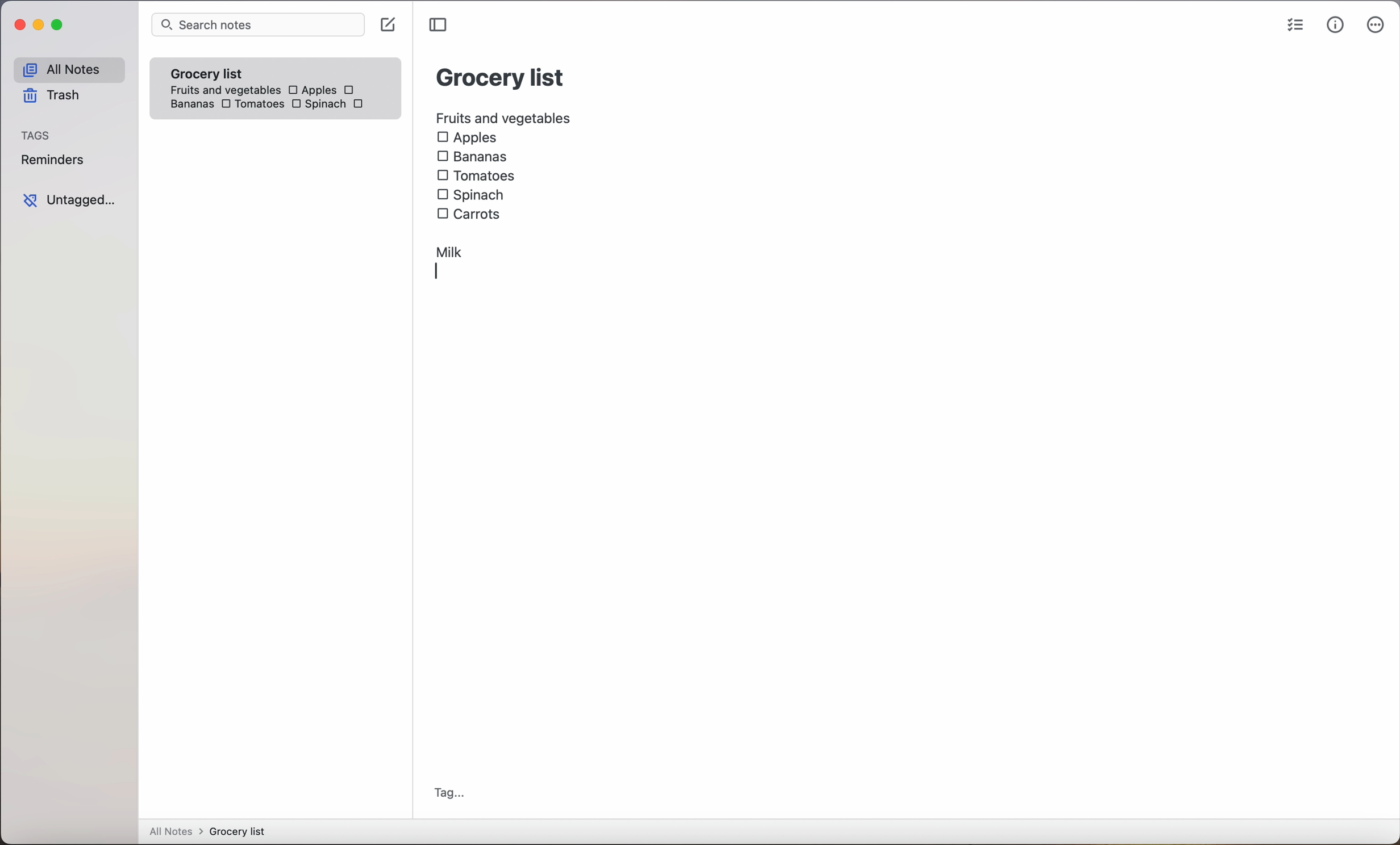 This screenshot has width=1400, height=845. I want to click on Milk, so click(451, 249).